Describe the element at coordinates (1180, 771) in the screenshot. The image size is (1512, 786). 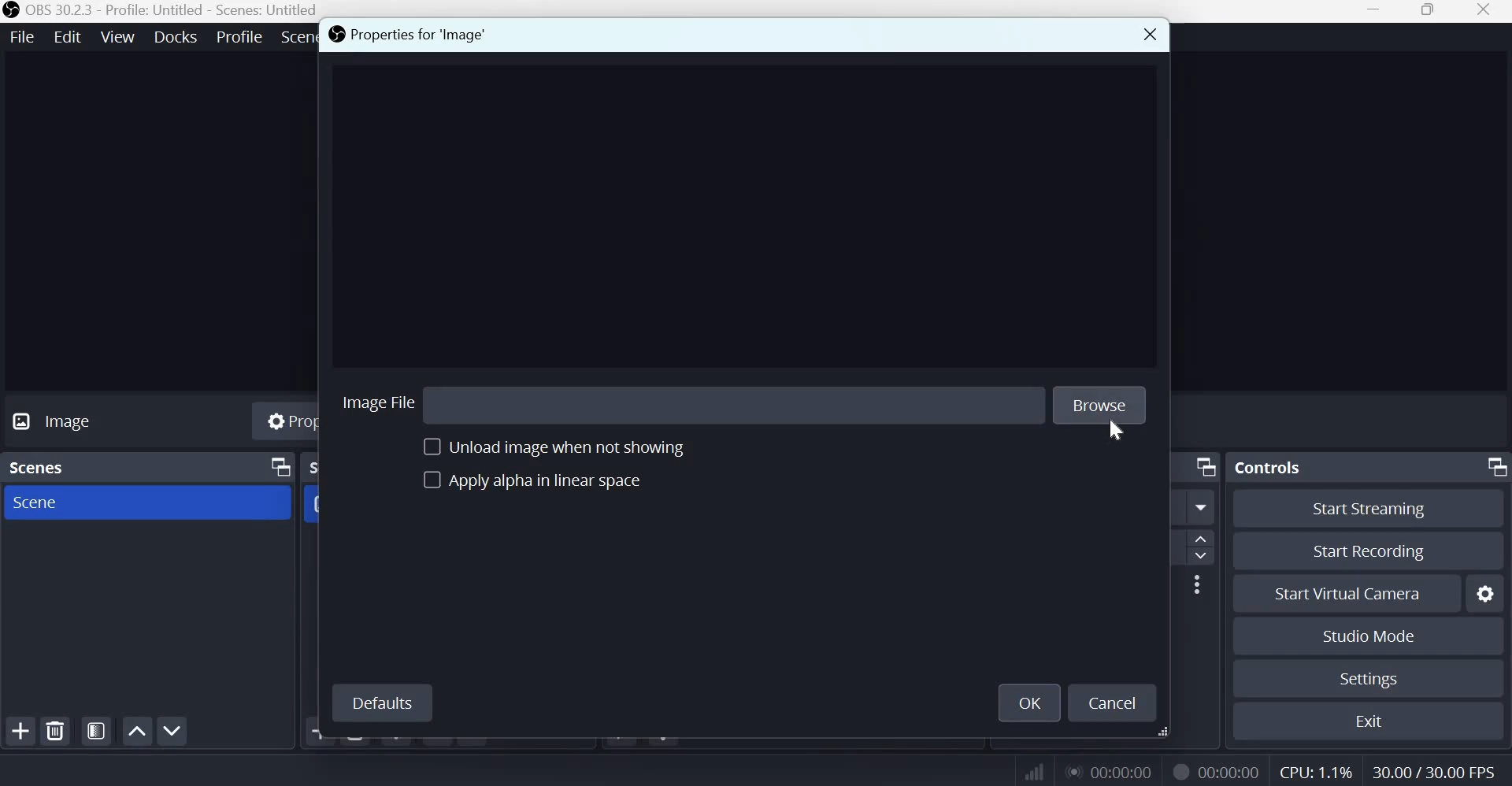
I see `Recording Status Icon` at that location.